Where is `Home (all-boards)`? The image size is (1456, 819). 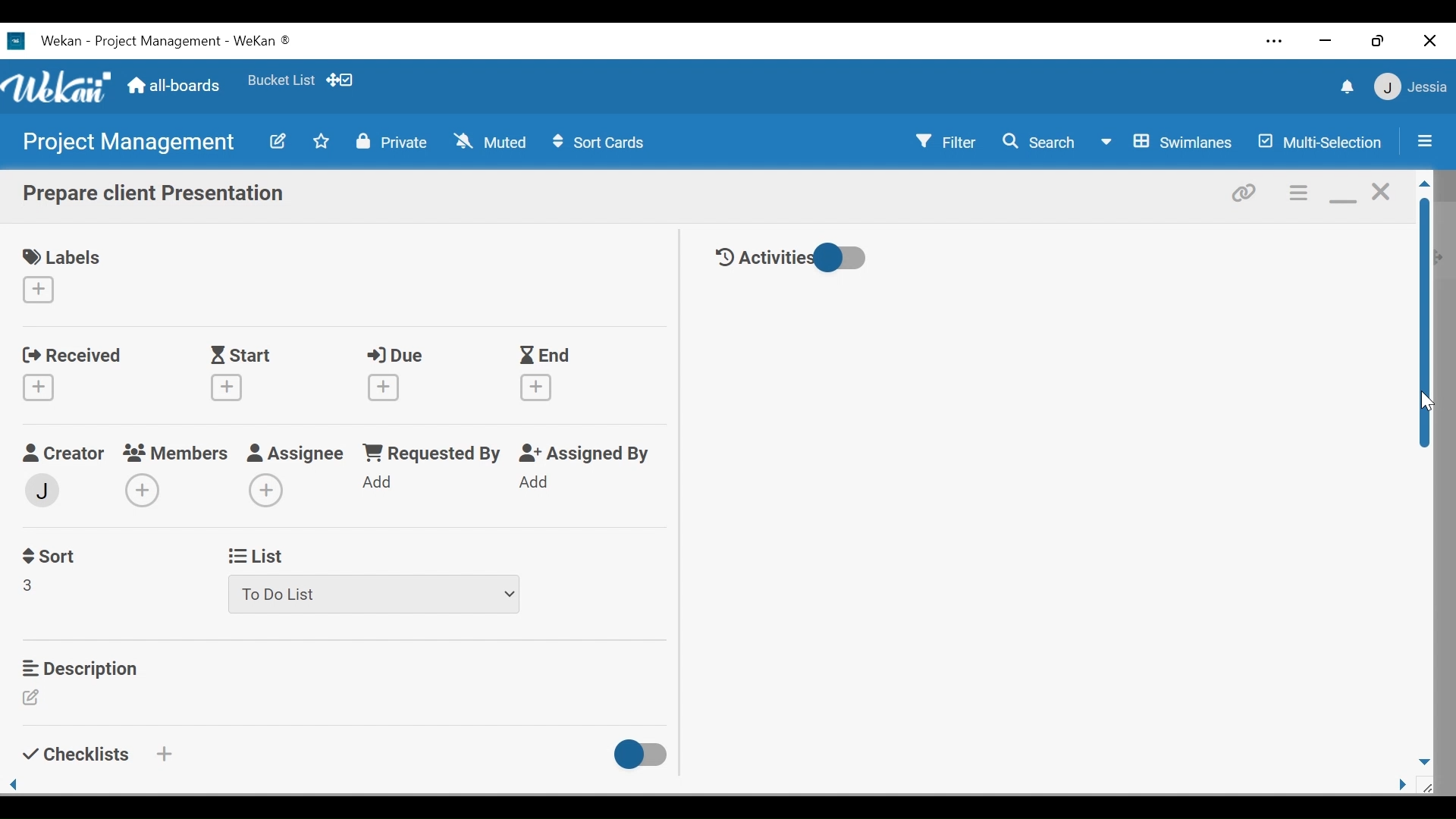 Home (all-boards) is located at coordinates (176, 88).